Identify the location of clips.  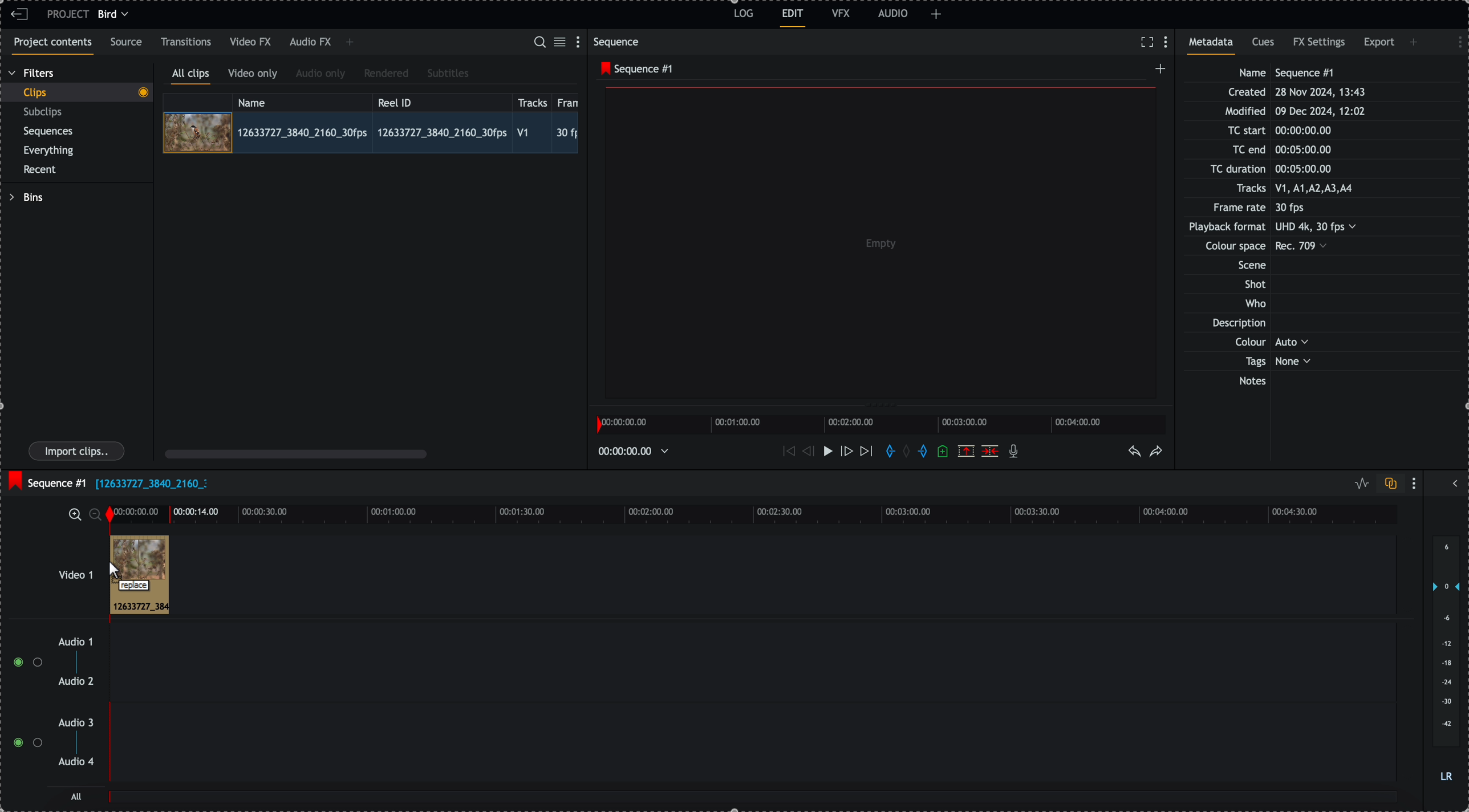
(76, 93).